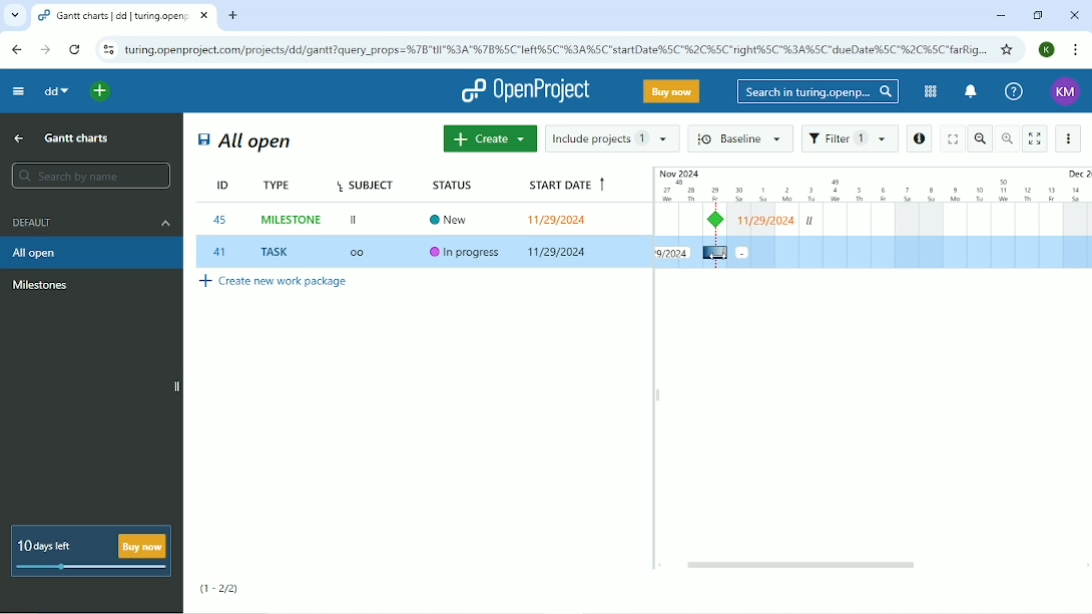 The height and width of the screenshot is (614, 1092). Describe the element at coordinates (1046, 50) in the screenshot. I see `Account` at that location.